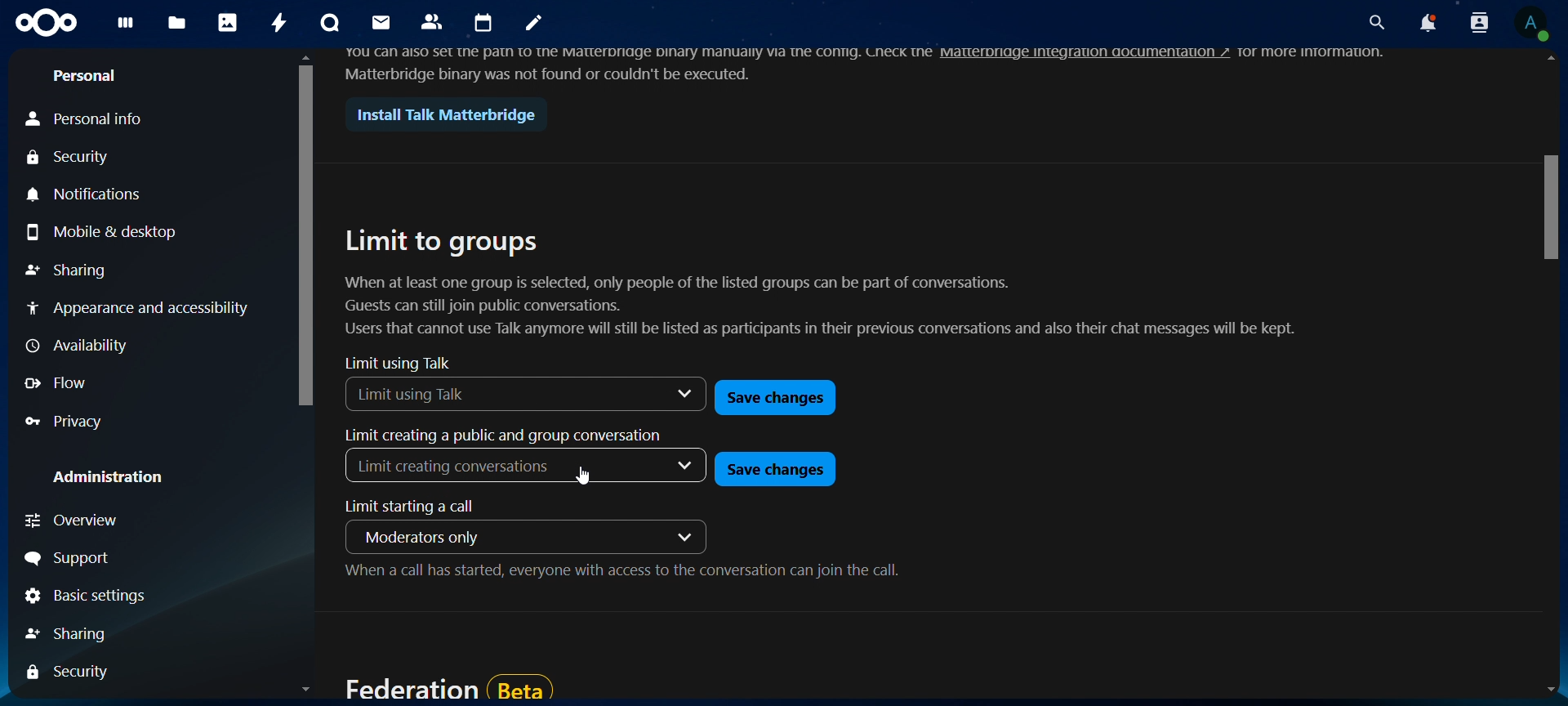  I want to click on everyone, so click(529, 541).